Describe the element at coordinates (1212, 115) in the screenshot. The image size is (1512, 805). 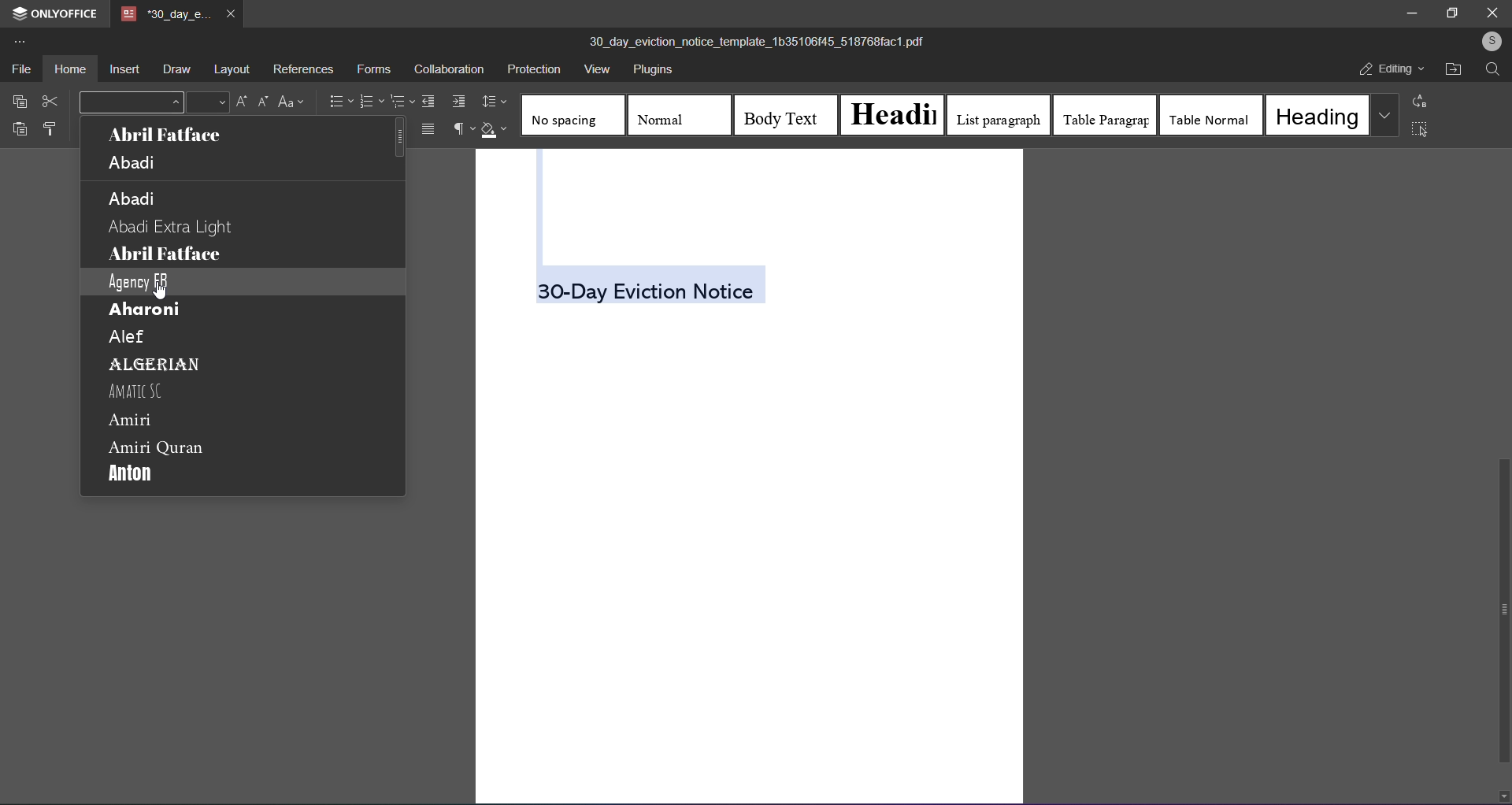
I see `table normal` at that location.